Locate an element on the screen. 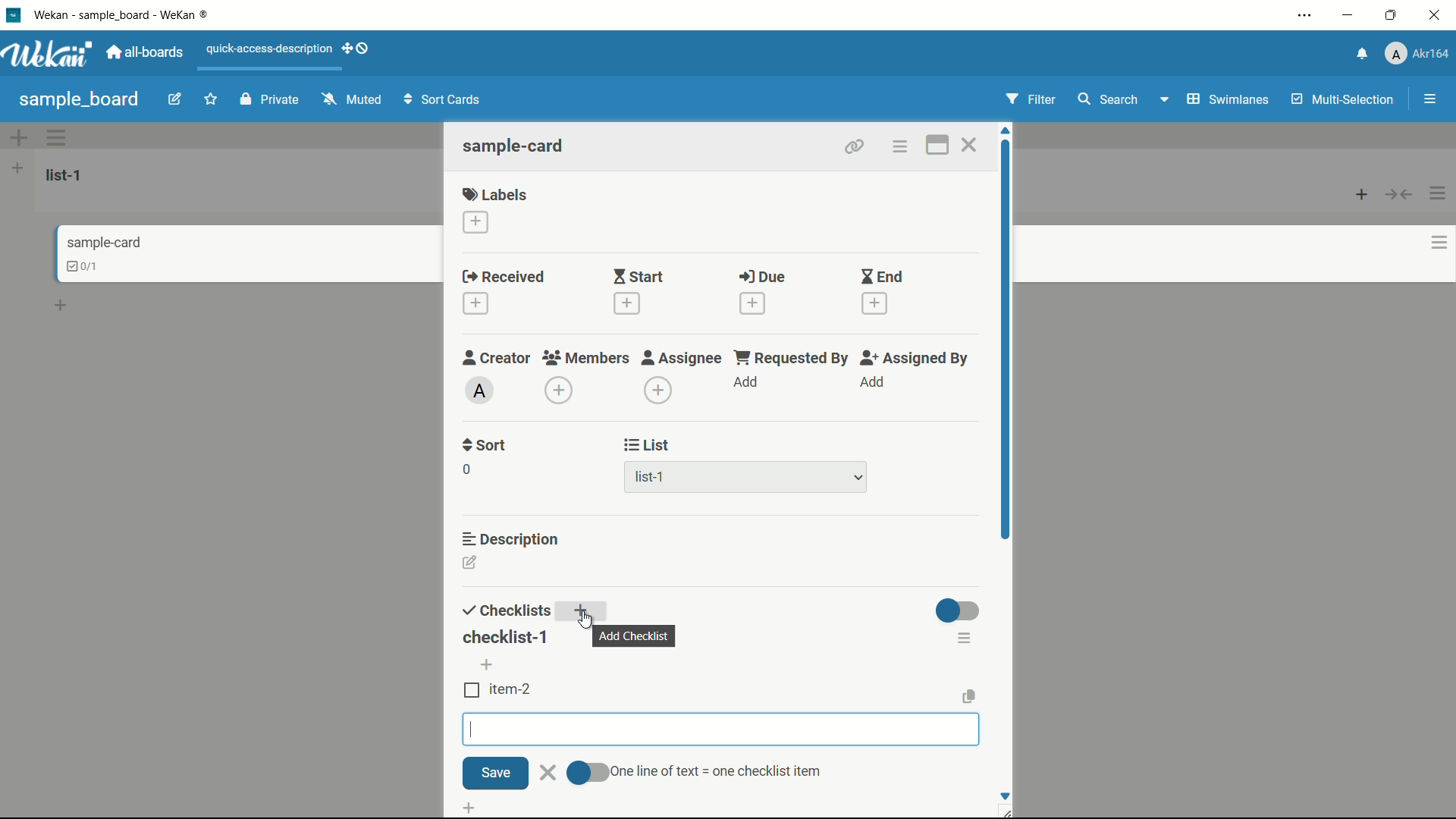 This screenshot has width=1456, height=819. all boards is located at coordinates (146, 52).